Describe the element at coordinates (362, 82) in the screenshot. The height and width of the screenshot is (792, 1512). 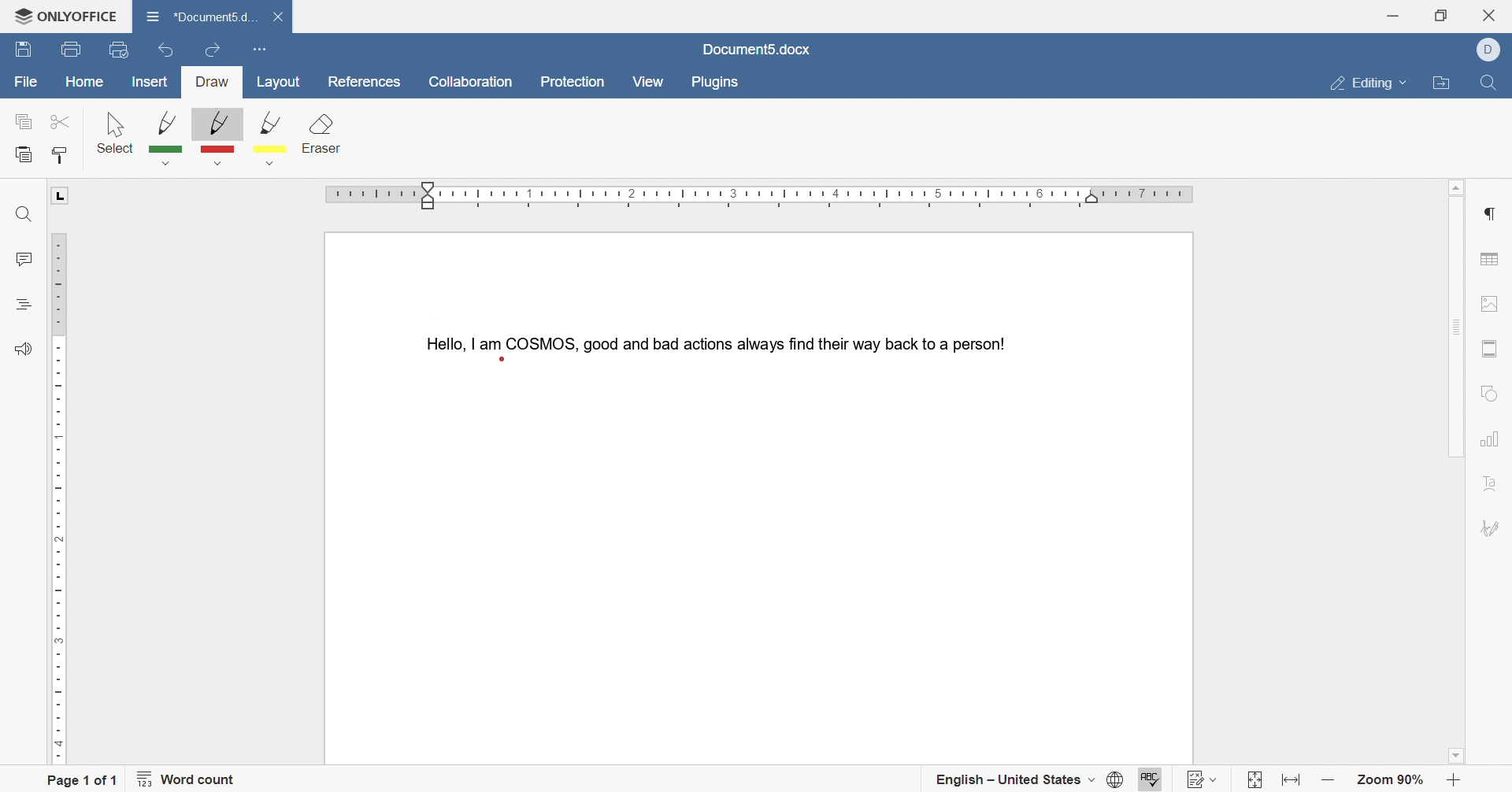
I see `references` at that location.